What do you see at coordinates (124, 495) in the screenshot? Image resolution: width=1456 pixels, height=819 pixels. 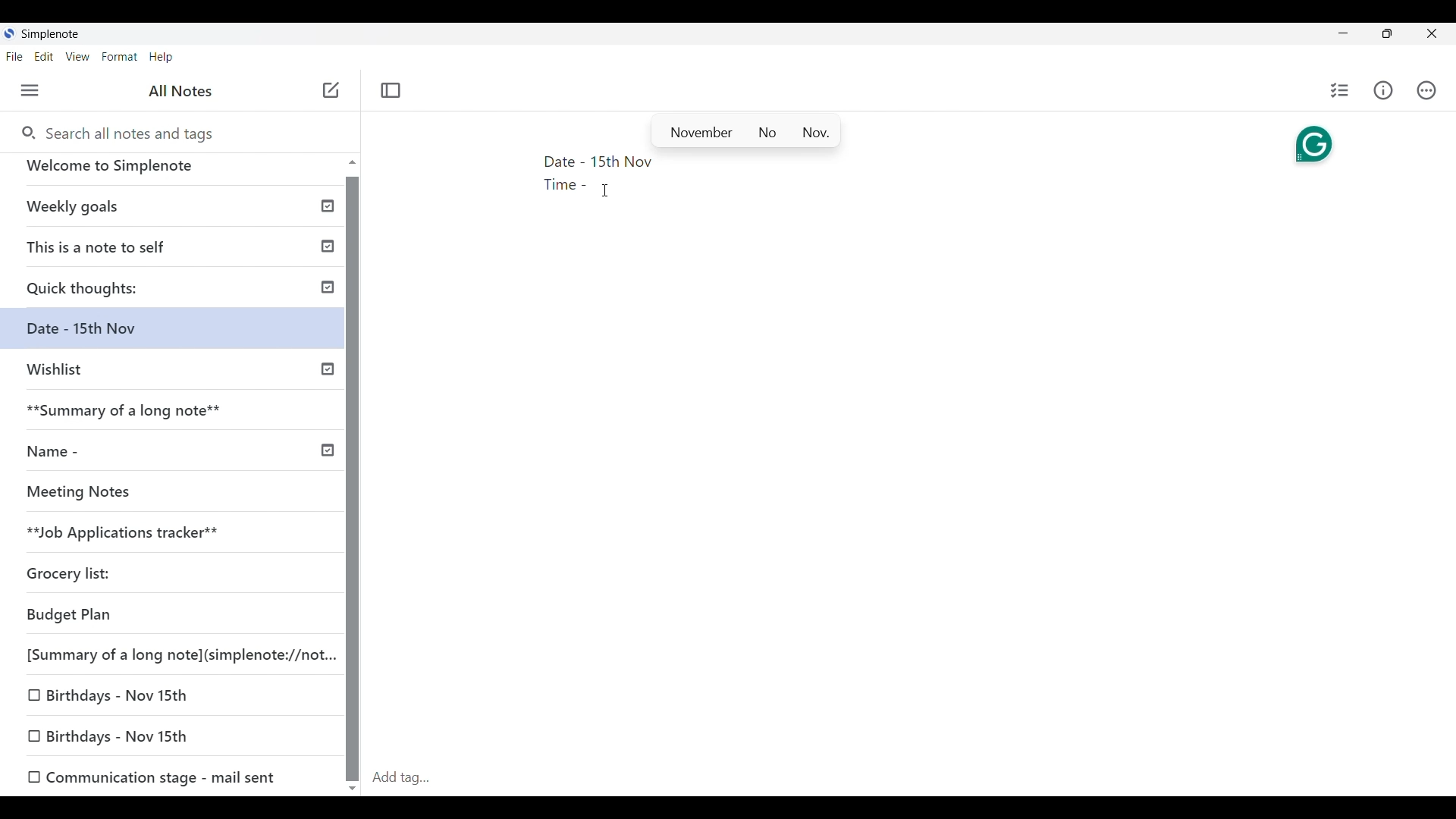 I see `Unpublished note` at bounding box center [124, 495].